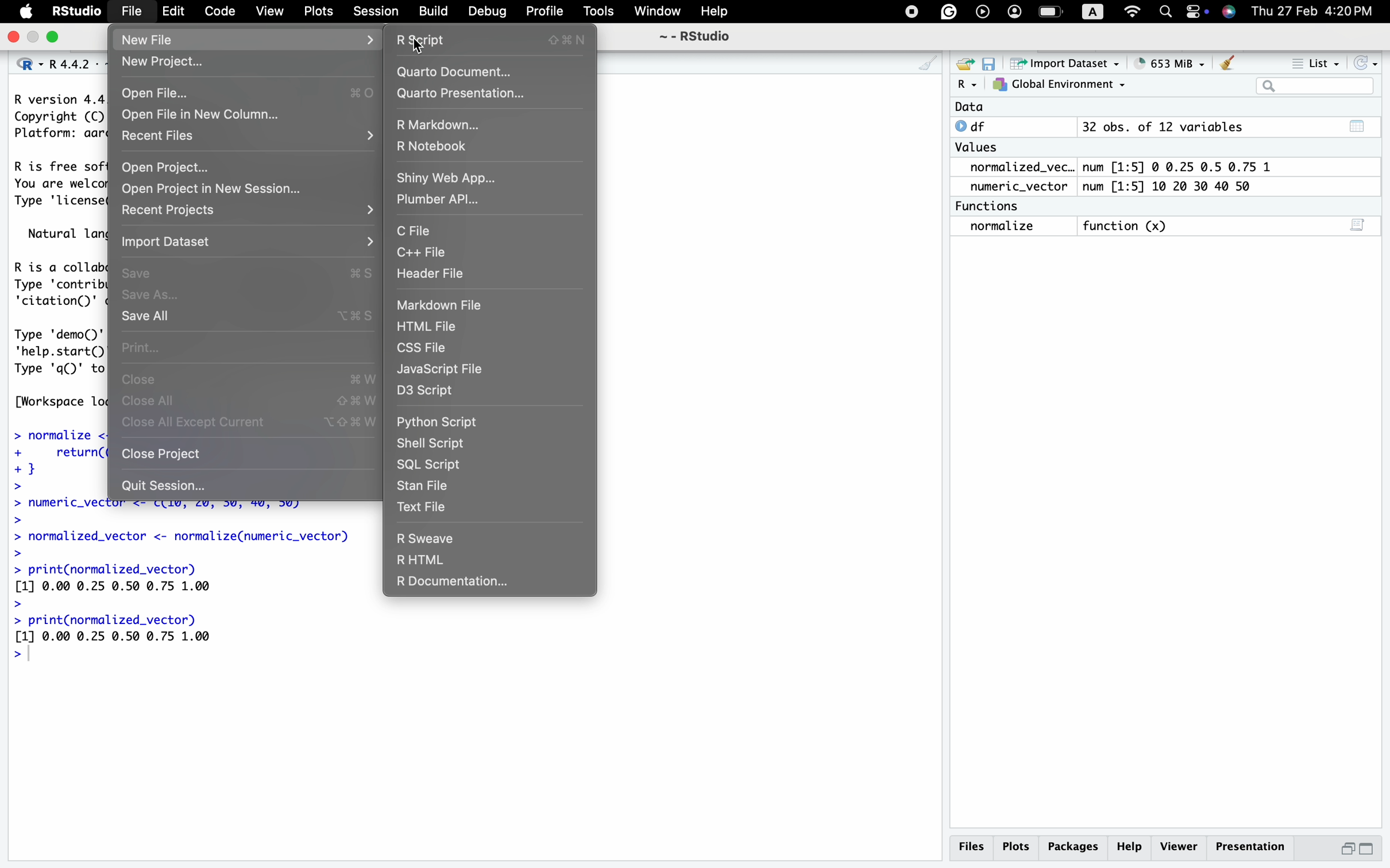 The image size is (1390, 868). What do you see at coordinates (441, 305) in the screenshot?
I see `Markdown File` at bounding box center [441, 305].